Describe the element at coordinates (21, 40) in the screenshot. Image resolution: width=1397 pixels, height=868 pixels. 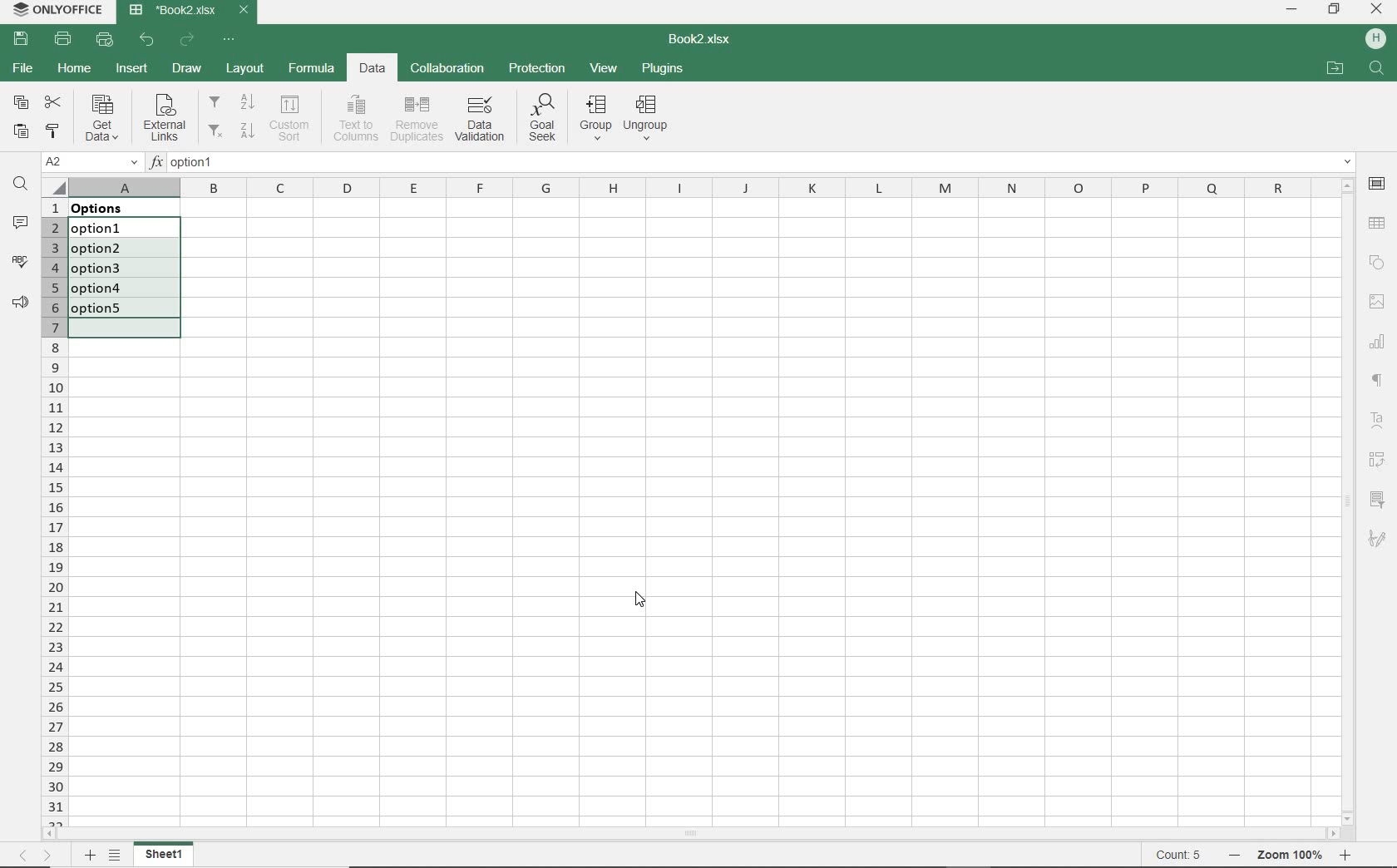
I see `SAVE` at that location.